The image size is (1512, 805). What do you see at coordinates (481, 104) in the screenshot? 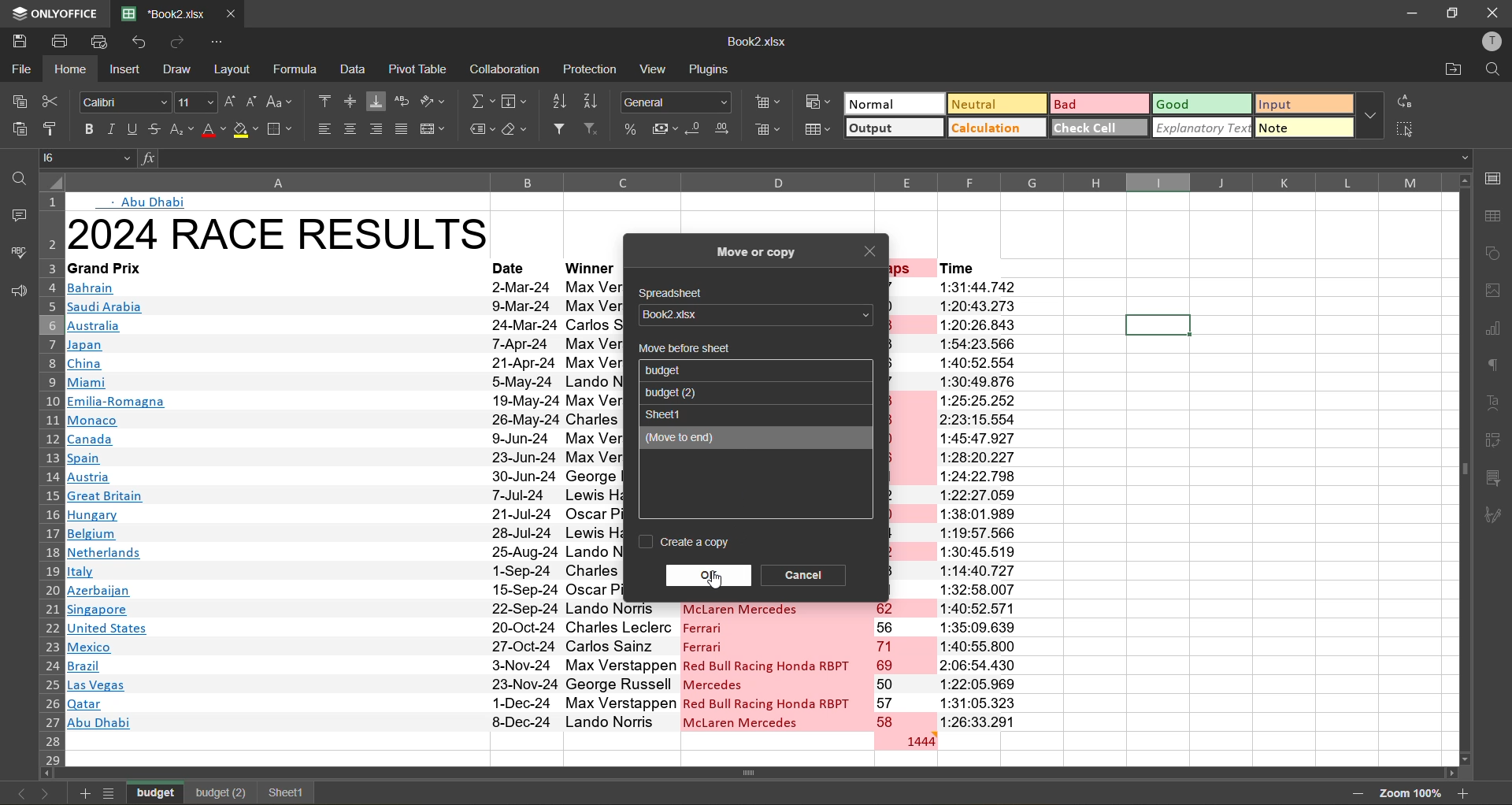
I see `summation` at bounding box center [481, 104].